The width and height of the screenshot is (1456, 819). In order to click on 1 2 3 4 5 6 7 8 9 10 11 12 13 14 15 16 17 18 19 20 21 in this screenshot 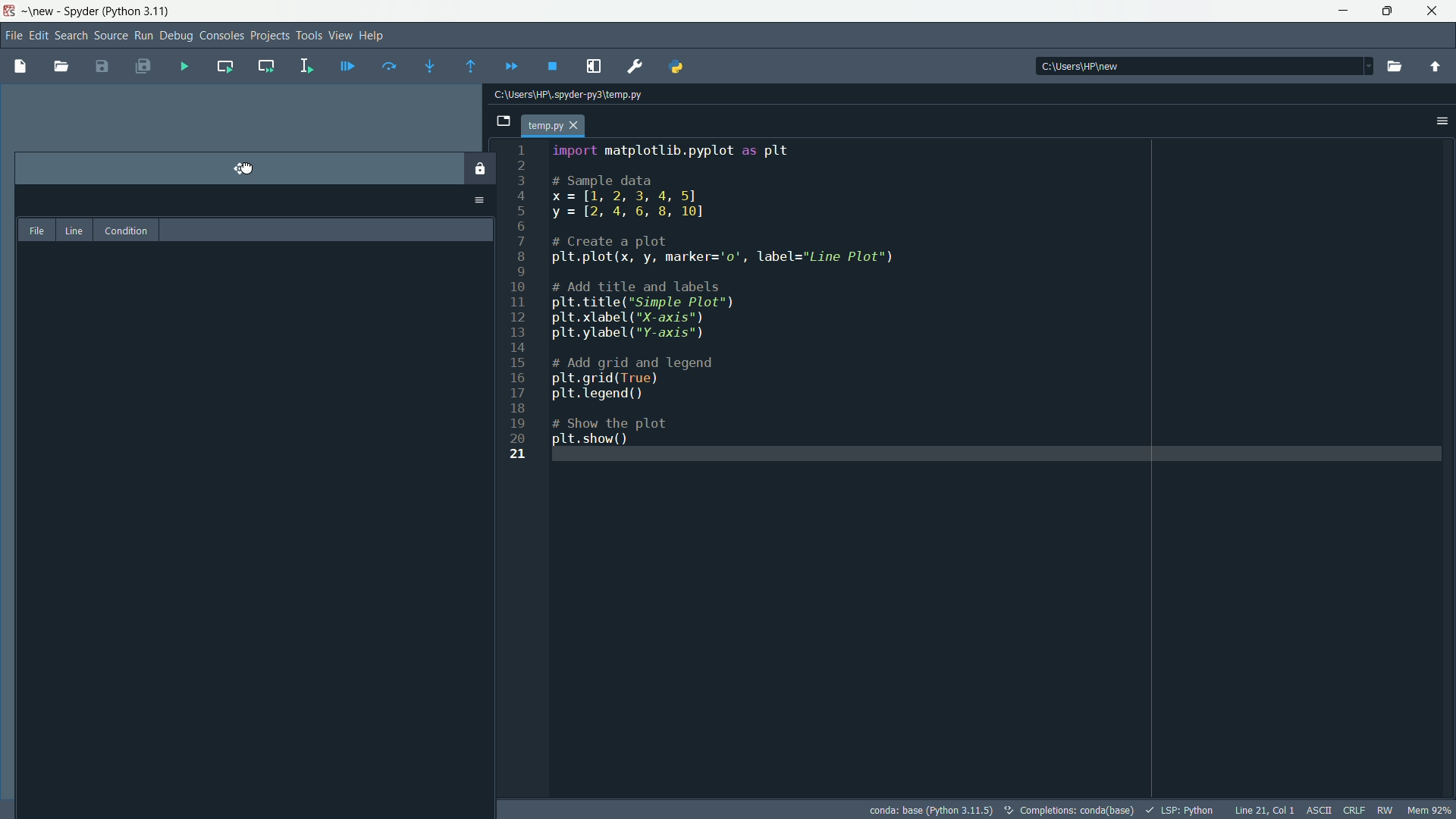, I will do `click(526, 314)`.